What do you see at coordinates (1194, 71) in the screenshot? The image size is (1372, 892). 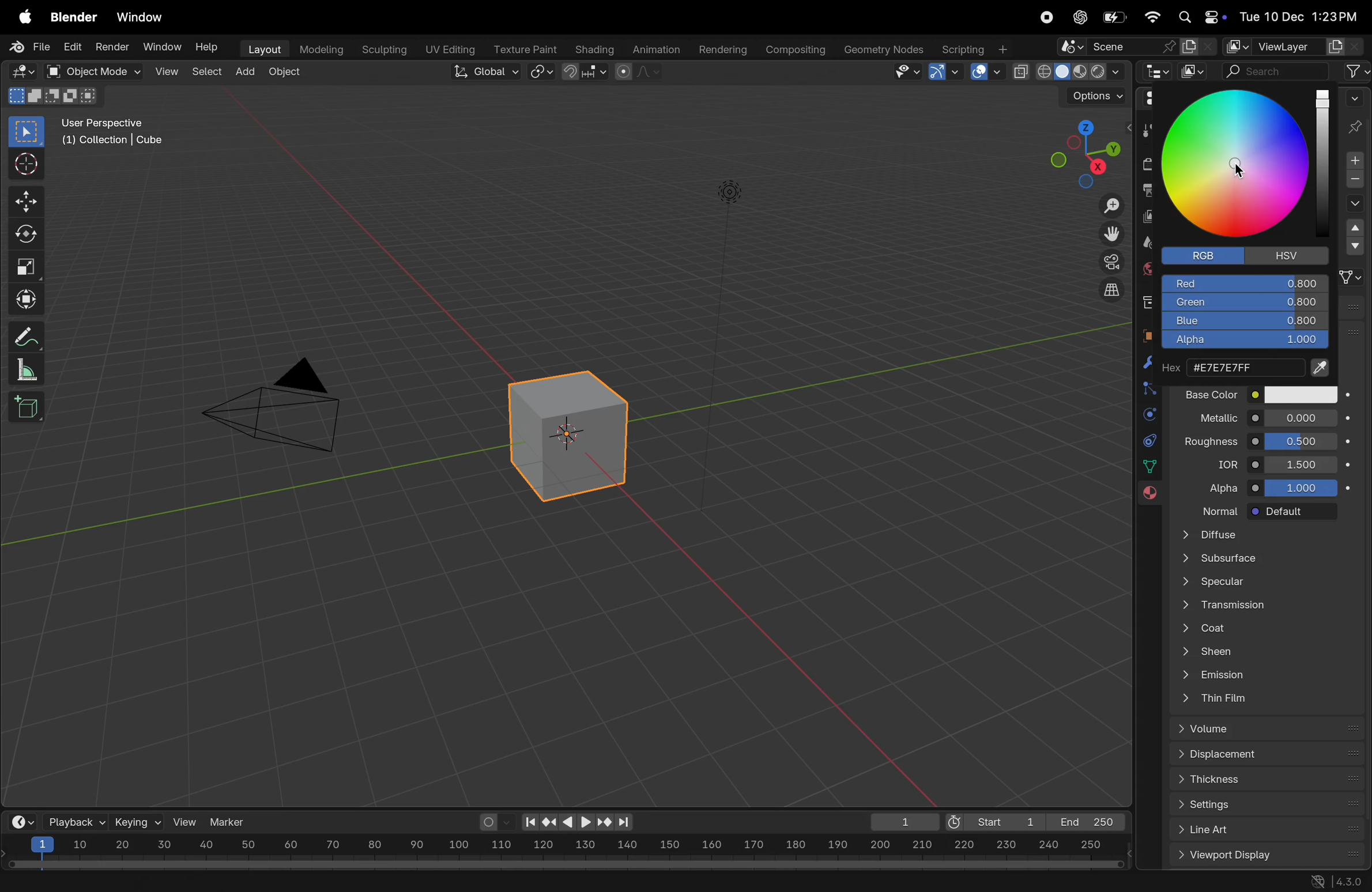 I see `display mode` at bounding box center [1194, 71].